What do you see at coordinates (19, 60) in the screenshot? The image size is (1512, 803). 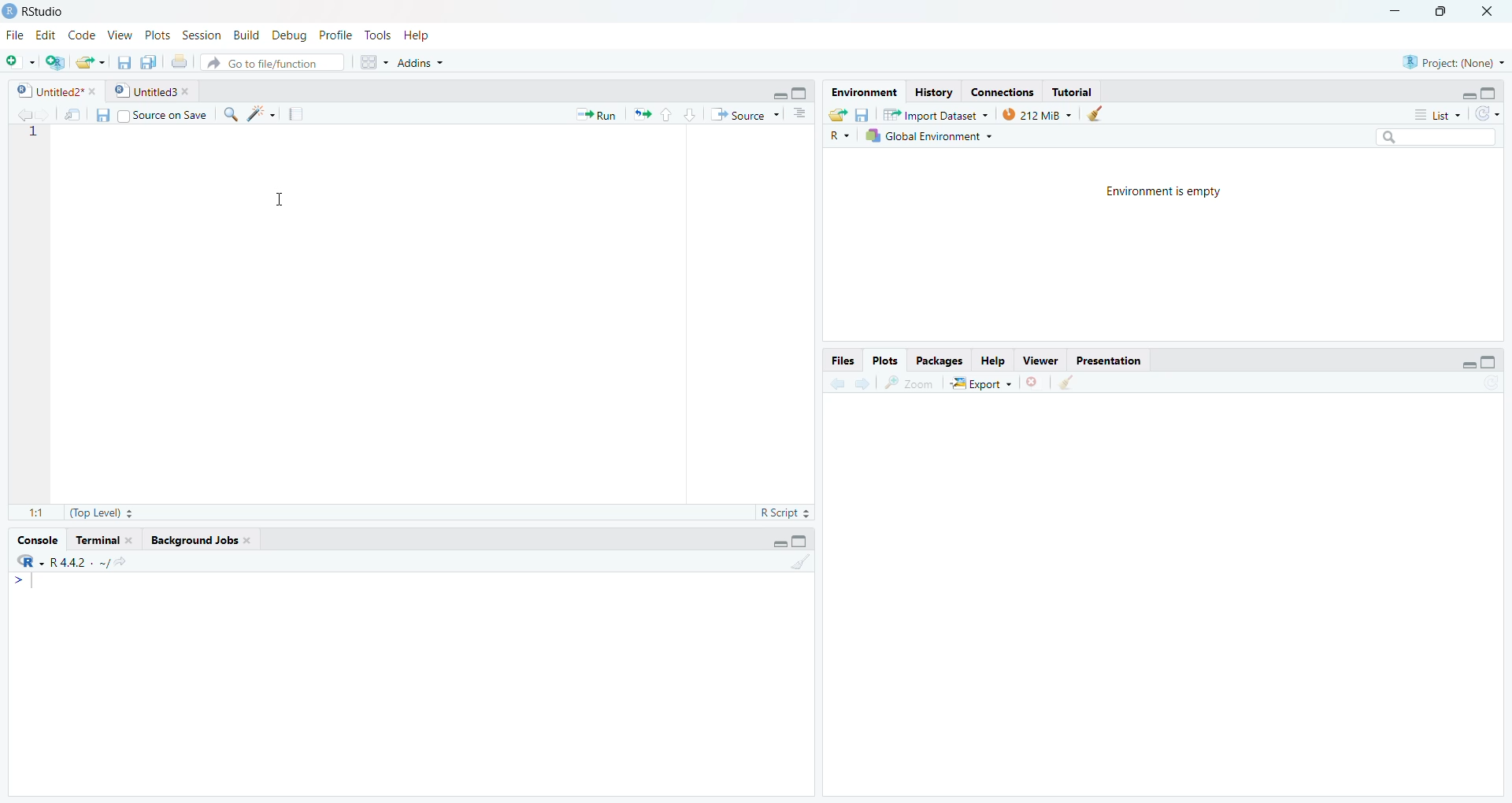 I see `new file` at bounding box center [19, 60].